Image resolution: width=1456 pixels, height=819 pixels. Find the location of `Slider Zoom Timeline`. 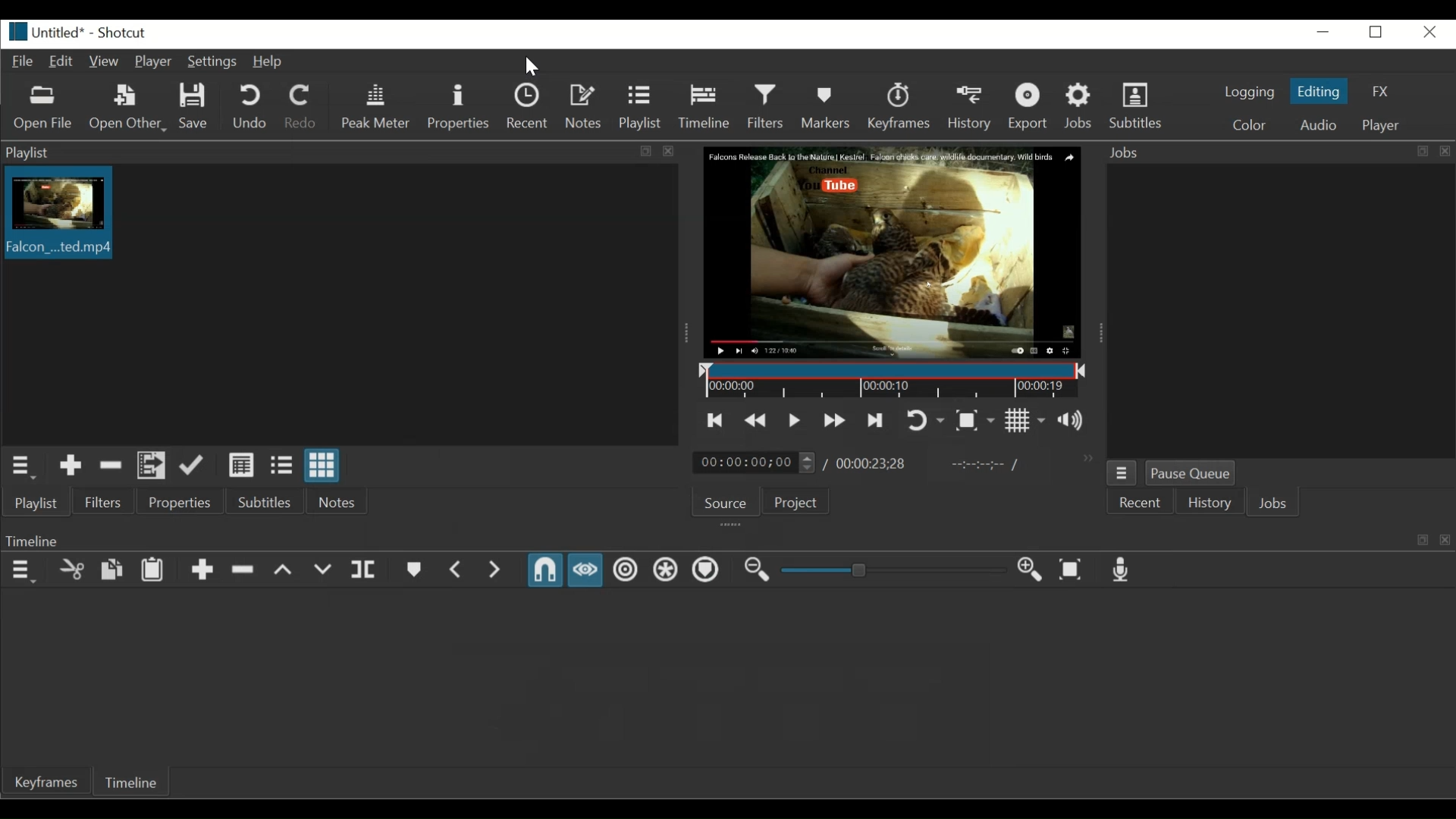

Slider Zoom Timeline is located at coordinates (891, 570).